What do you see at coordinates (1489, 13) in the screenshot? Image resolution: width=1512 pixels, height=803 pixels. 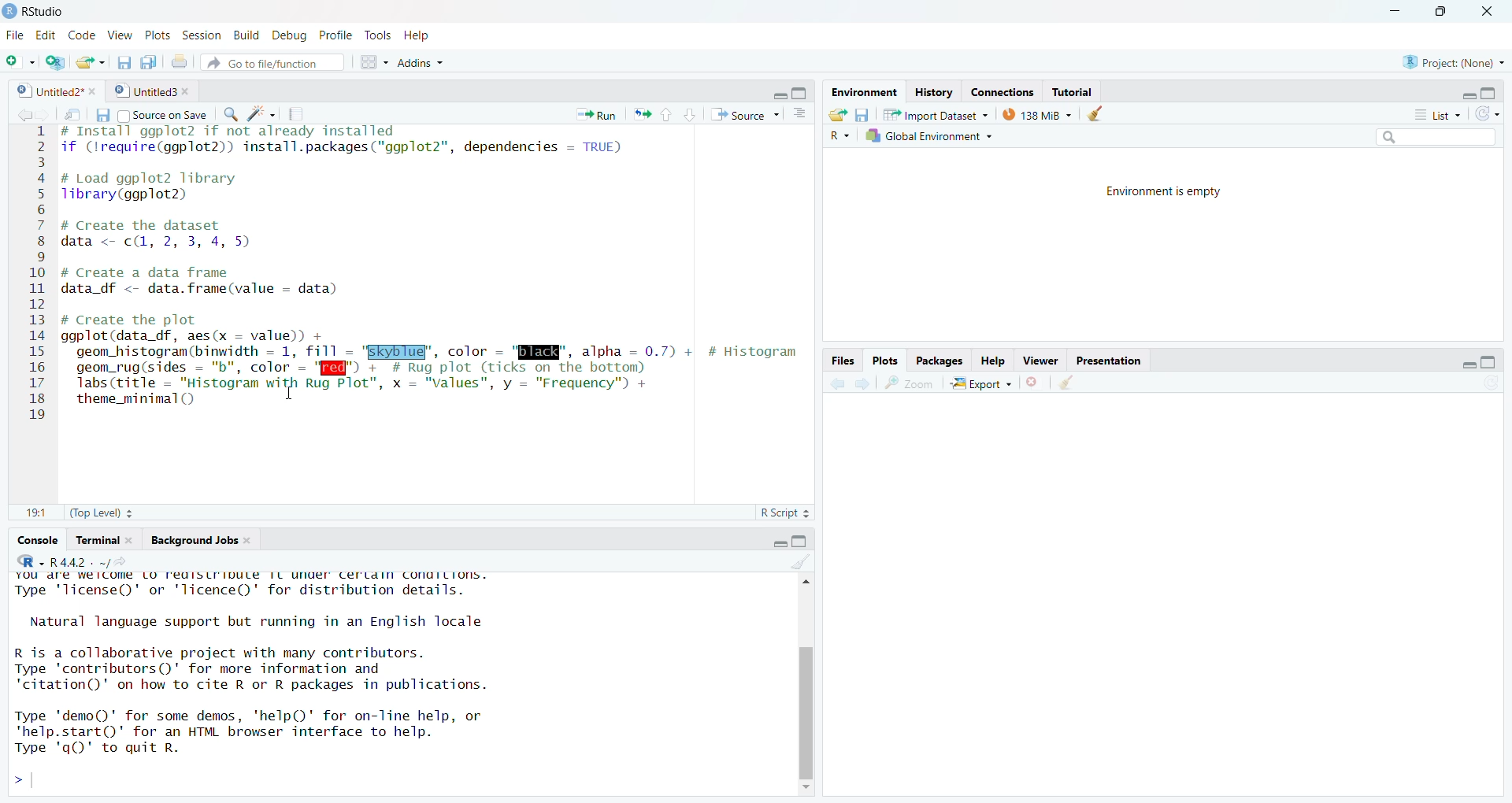 I see `close` at bounding box center [1489, 13].